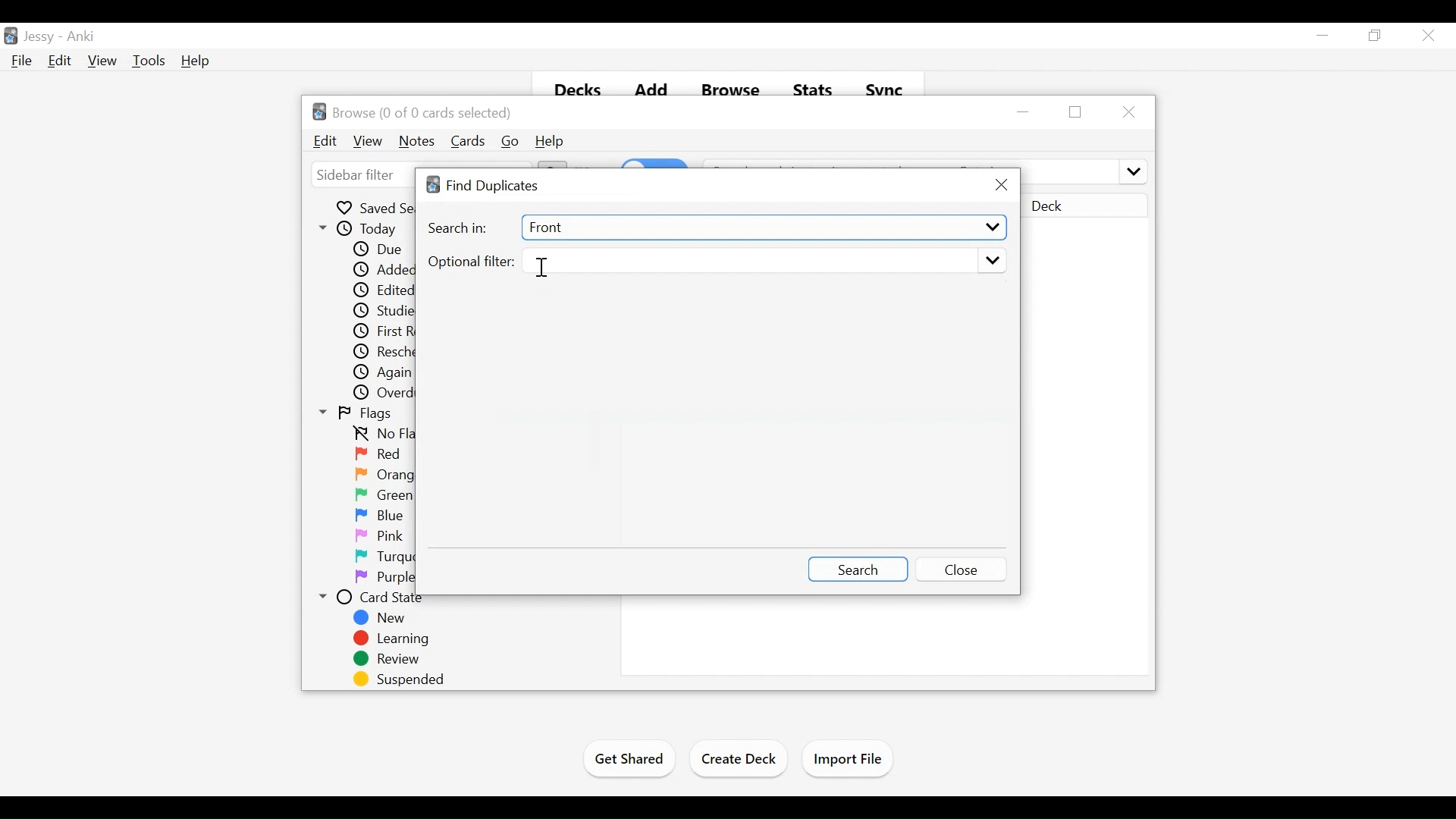 This screenshot has height=819, width=1456. I want to click on User Profile, so click(39, 37).